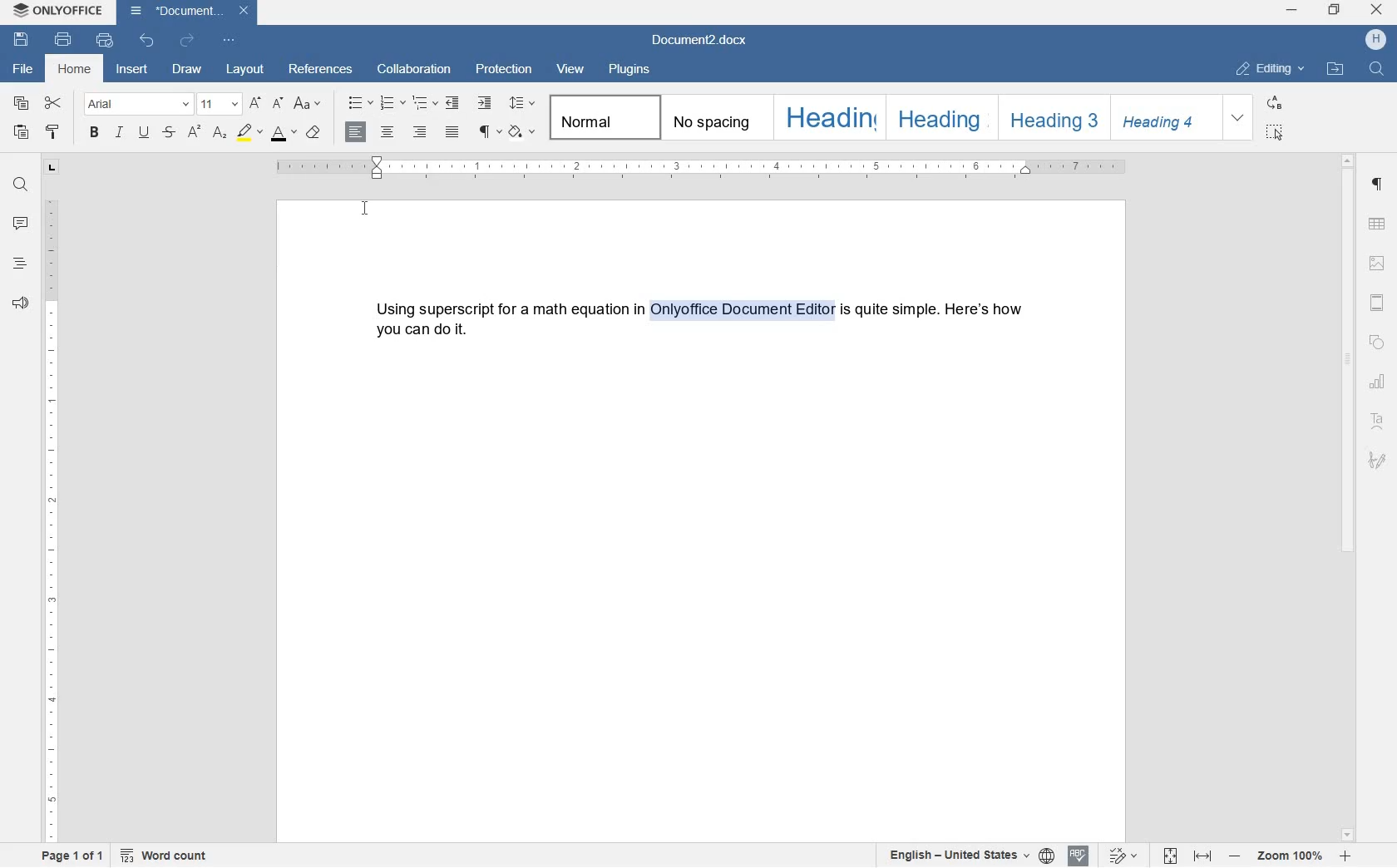 The width and height of the screenshot is (1397, 868). What do you see at coordinates (692, 315) in the screenshot?
I see `Using superscript for a math equation in onlyoffice document editor is quite simple. Here's how you can do it` at bounding box center [692, 315].